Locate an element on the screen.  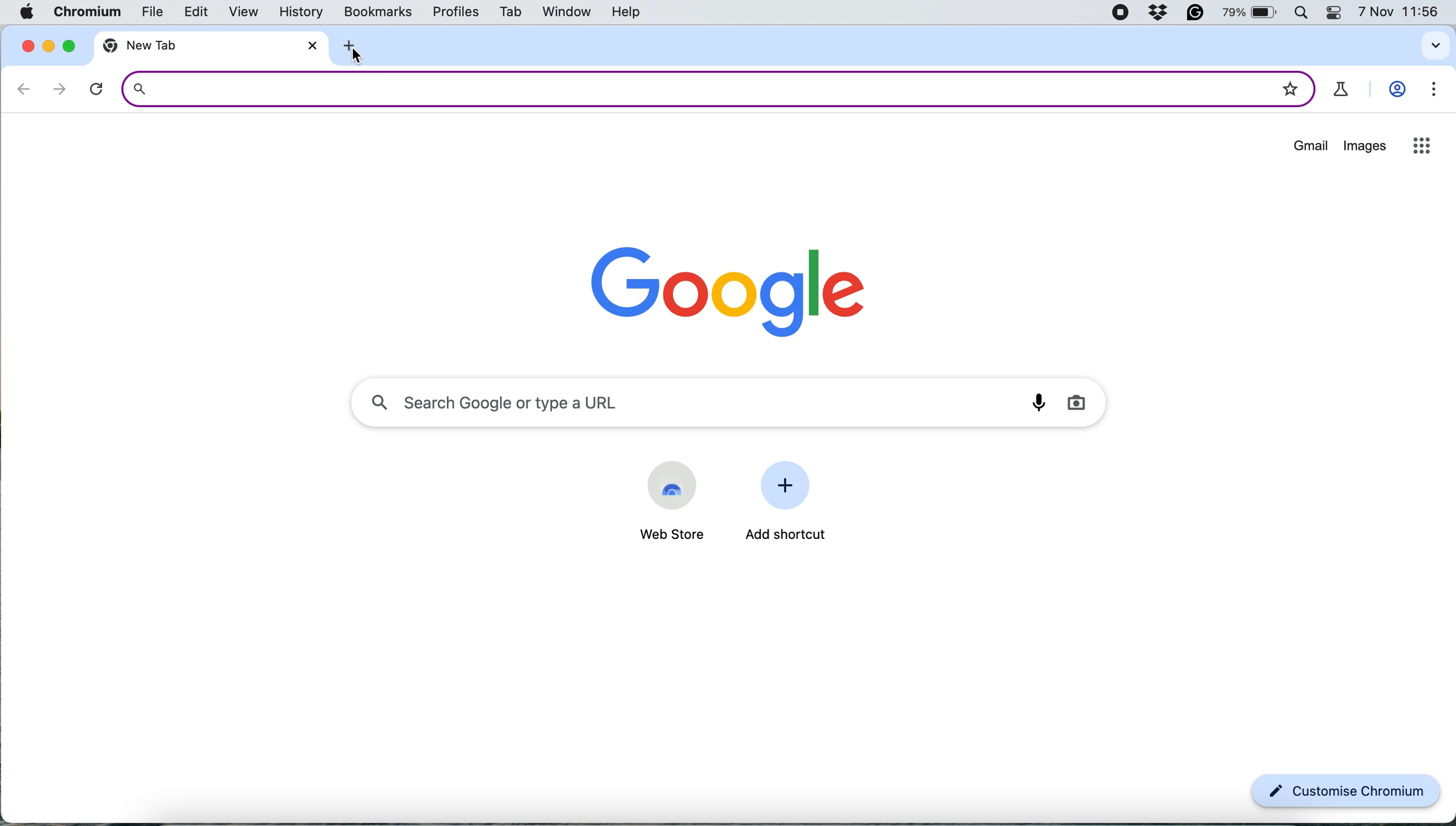
web store is located at coordinates (666, 535).